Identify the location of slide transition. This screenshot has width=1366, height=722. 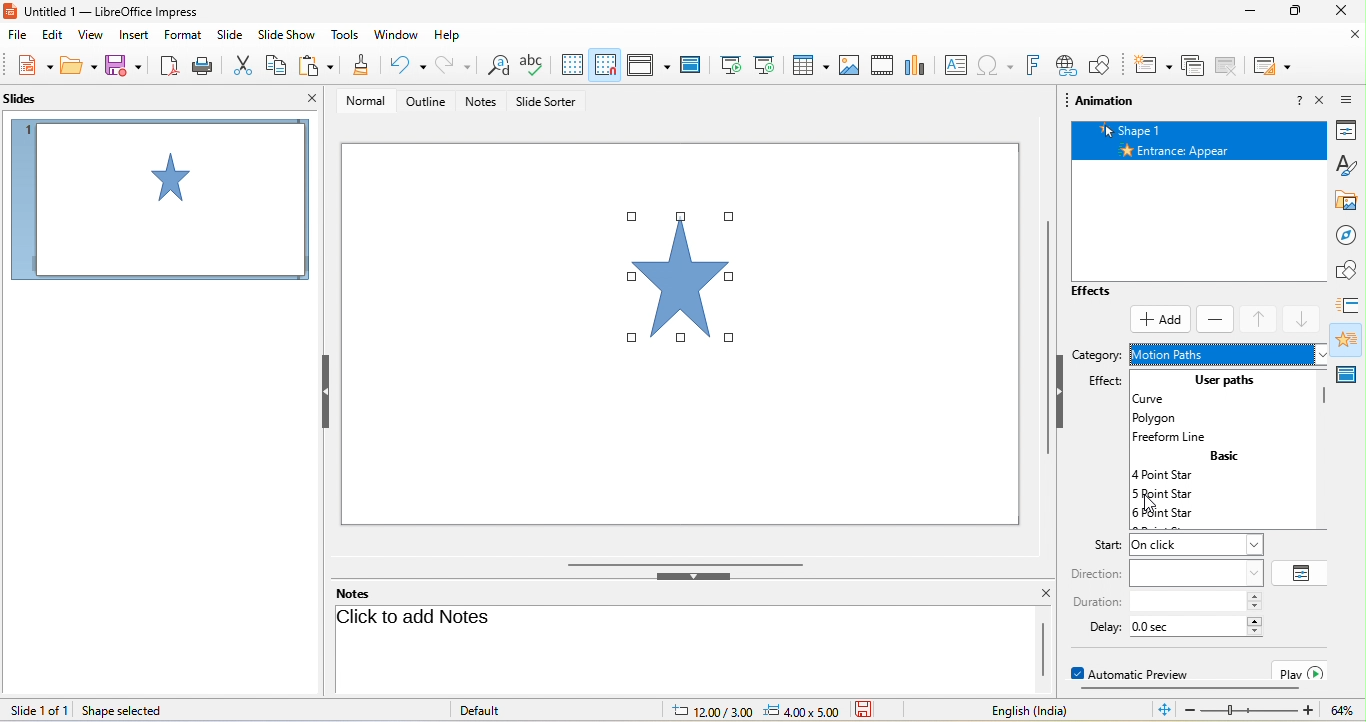
(1350, 305).